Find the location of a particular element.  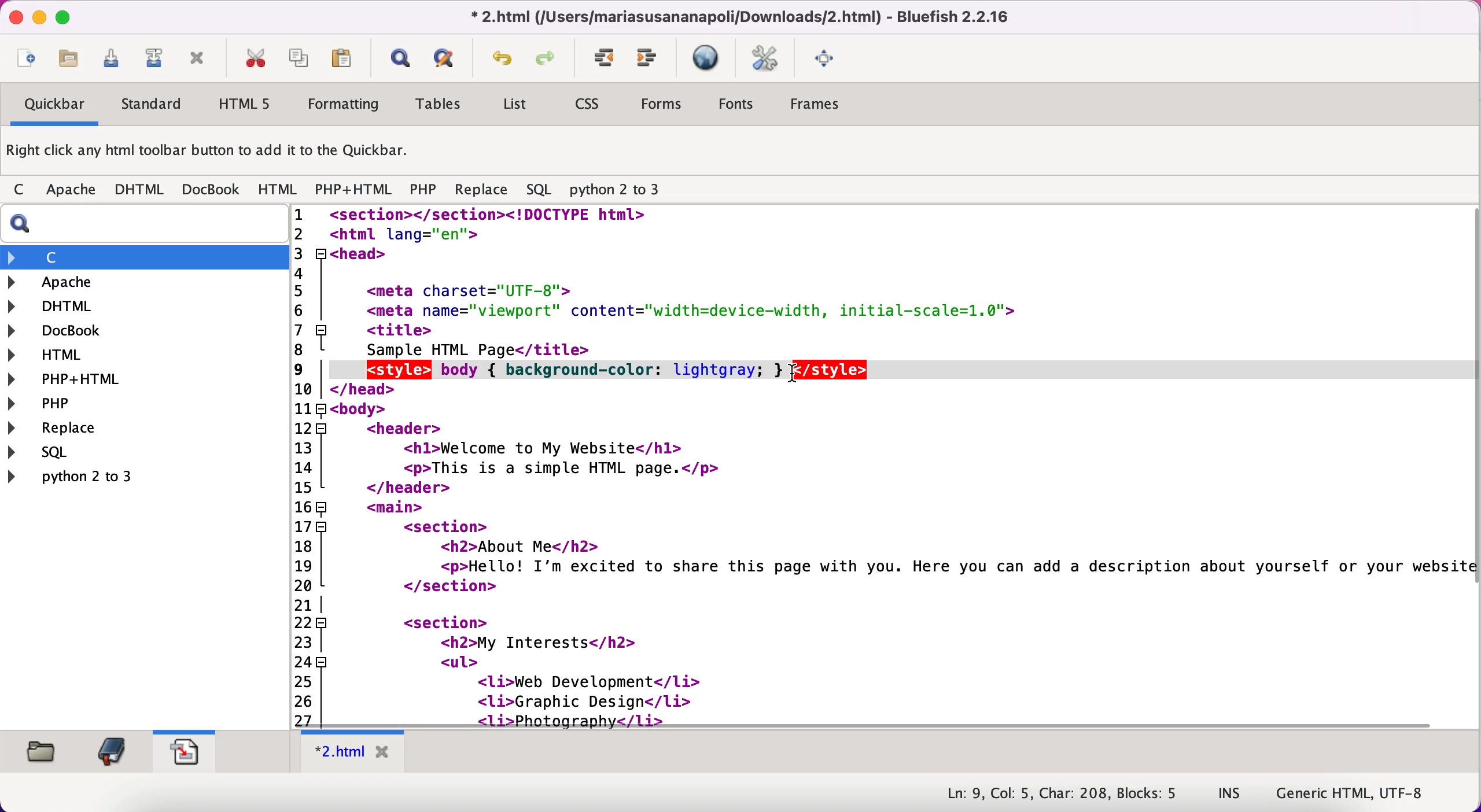

apache is located at coordinates (73, 192).